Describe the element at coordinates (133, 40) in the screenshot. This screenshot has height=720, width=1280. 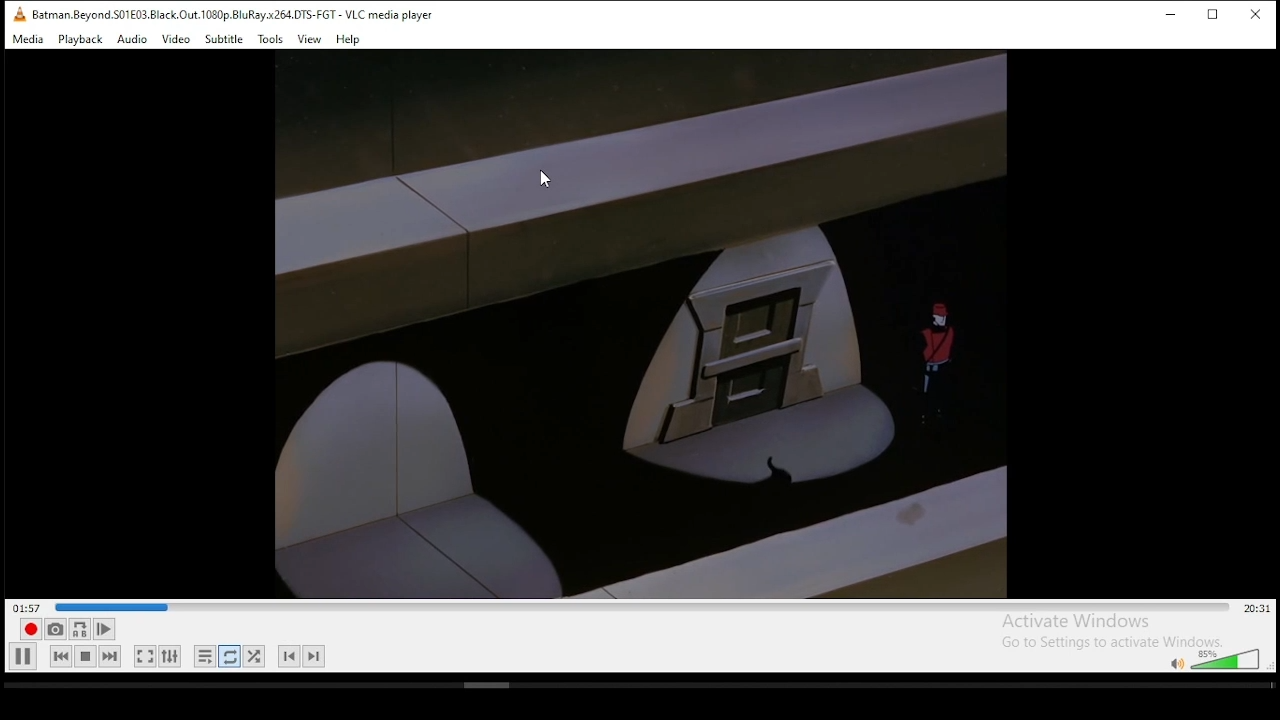
I see `audio` at that location.